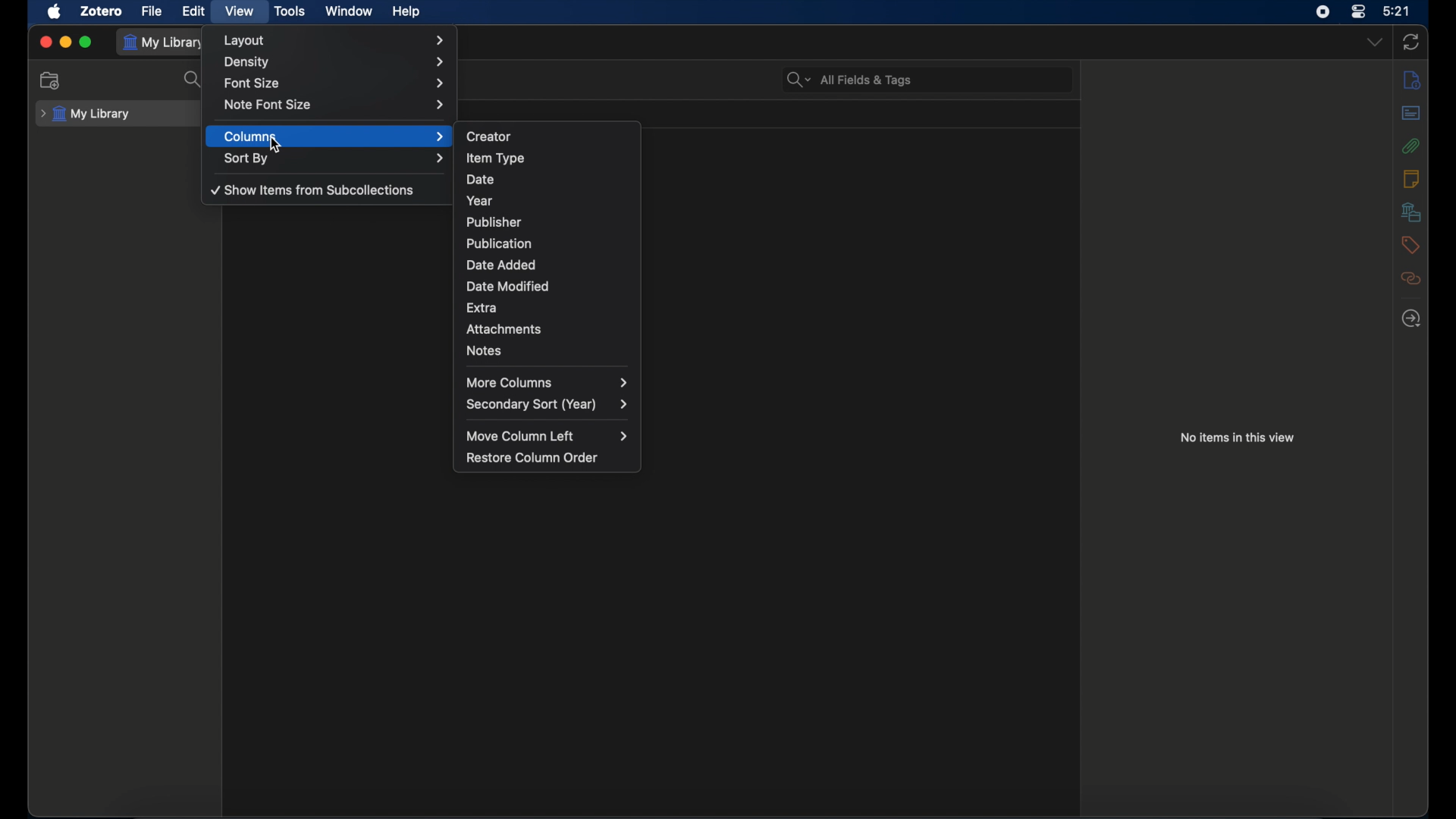 This screenshot has width=1456, height=819. I want to click on date, so click(550, 177).